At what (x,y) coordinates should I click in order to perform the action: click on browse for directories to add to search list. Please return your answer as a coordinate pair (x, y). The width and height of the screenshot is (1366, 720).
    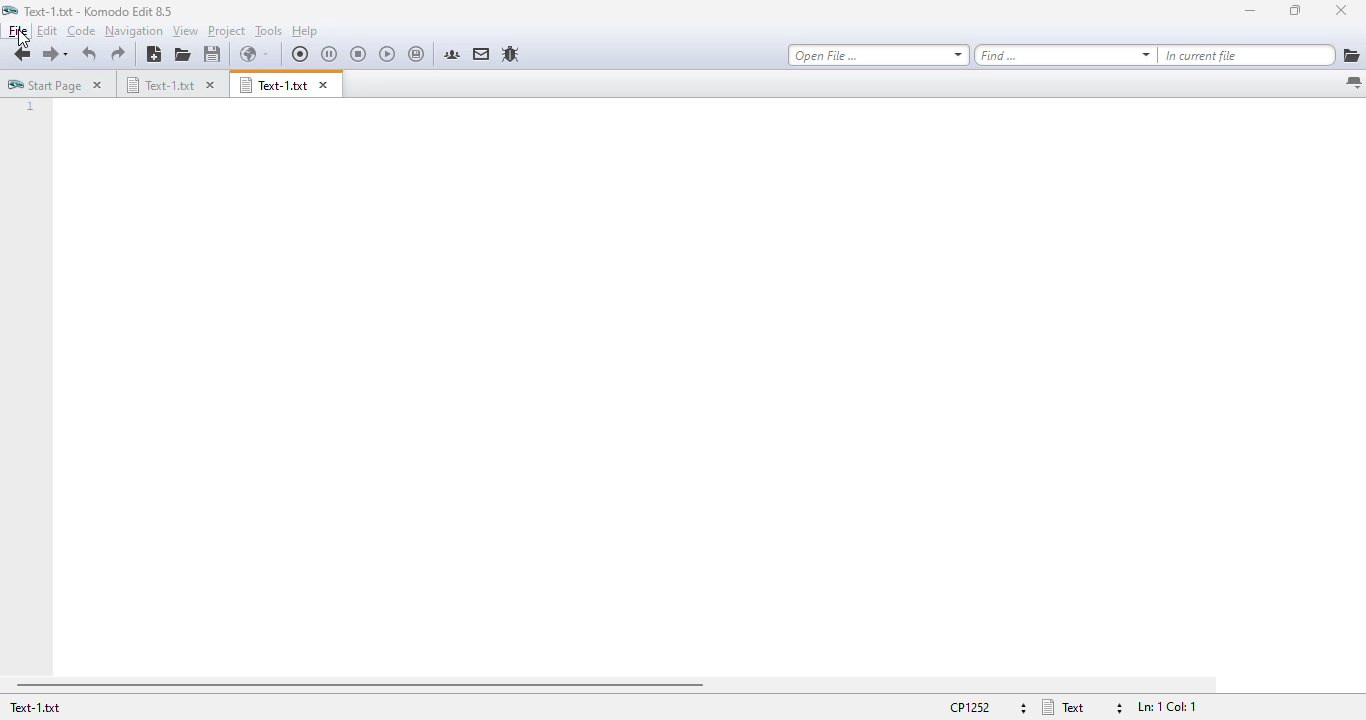
    Looking at the image, I should click on (1351, 55).